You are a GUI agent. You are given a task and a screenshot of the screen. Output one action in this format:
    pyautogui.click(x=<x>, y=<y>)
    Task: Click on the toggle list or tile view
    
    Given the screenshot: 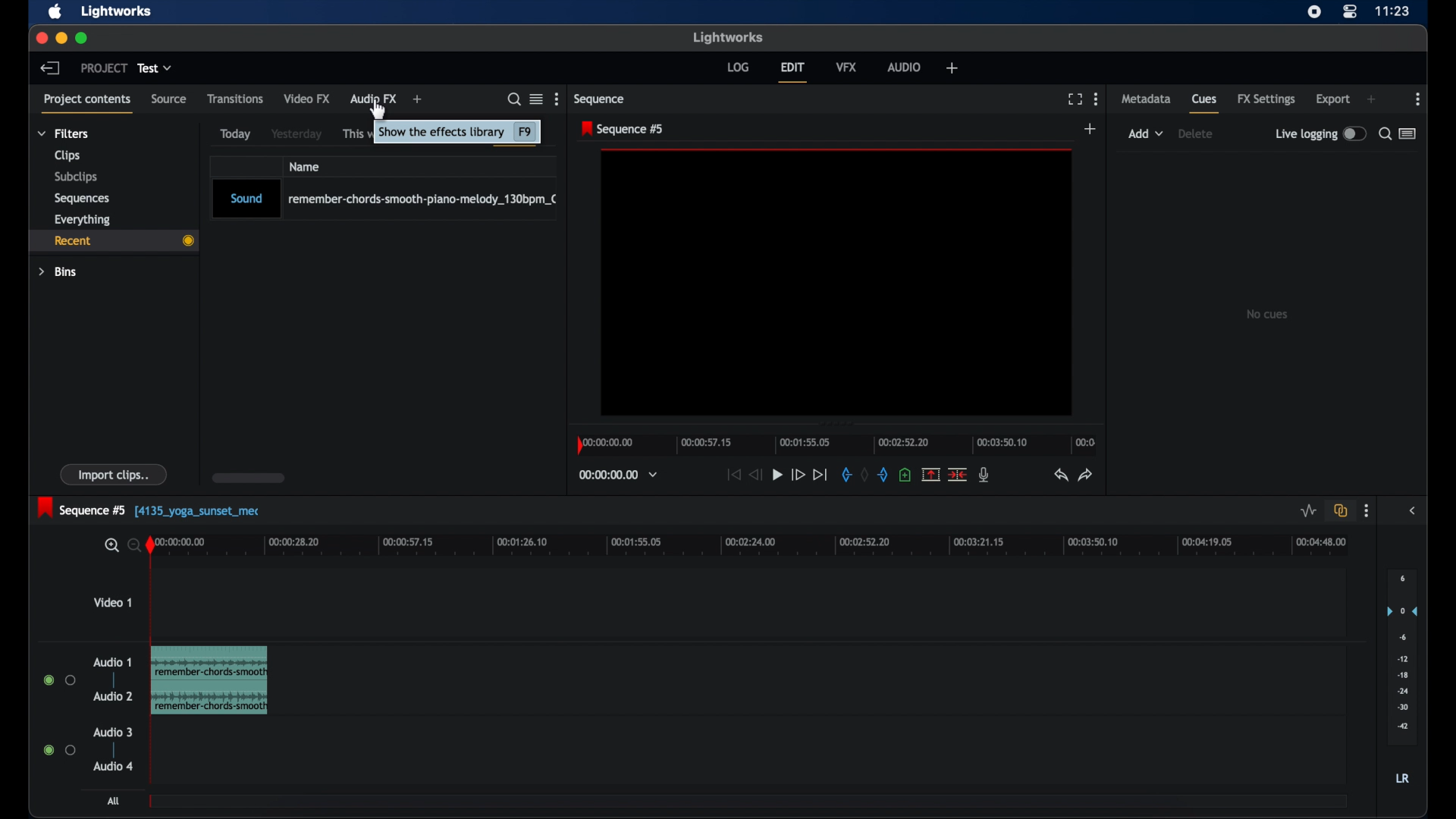 What is the action you would take?
    pyautogui.click(x=536, y=98)
    